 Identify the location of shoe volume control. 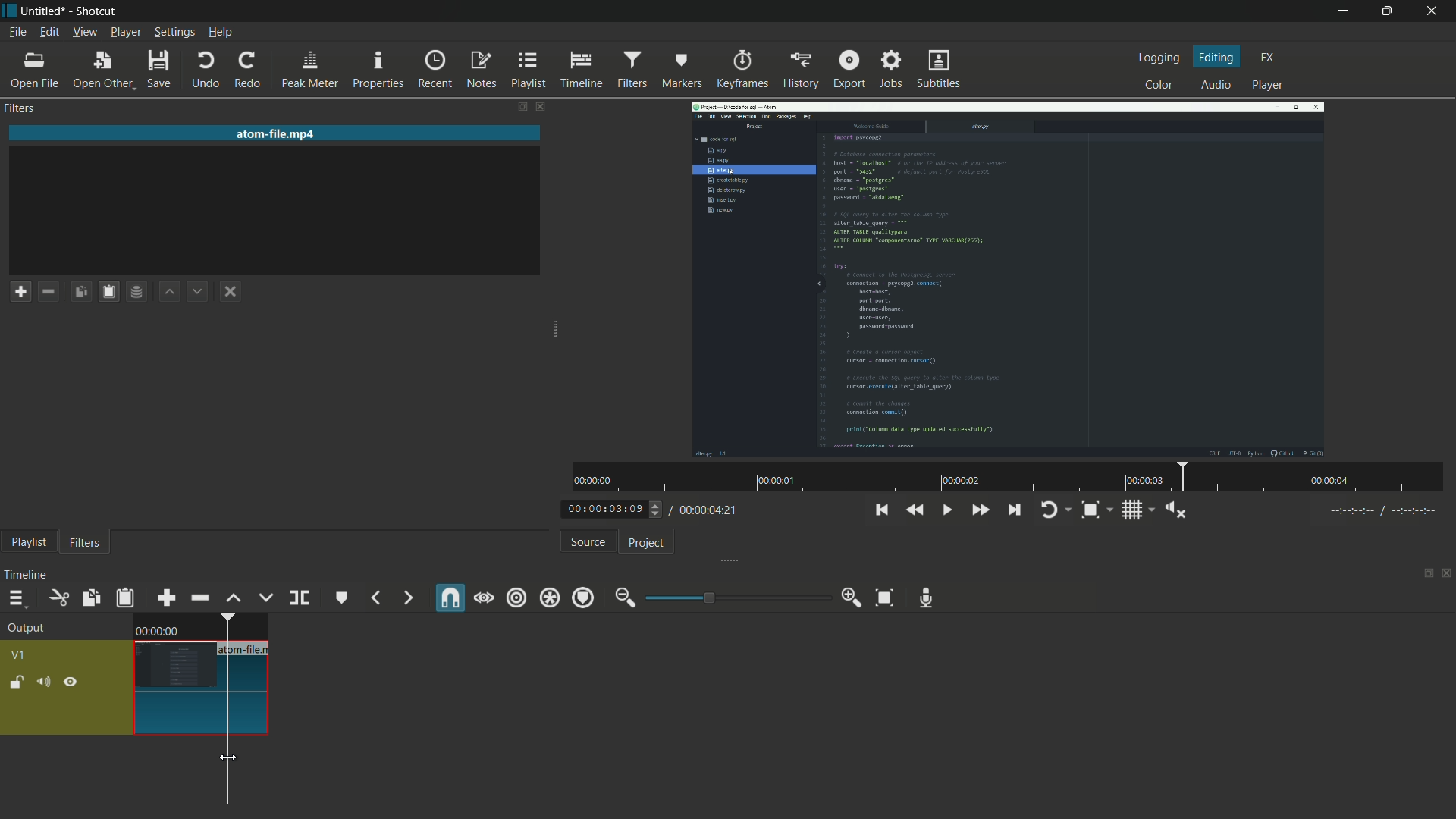
(1177, 510).